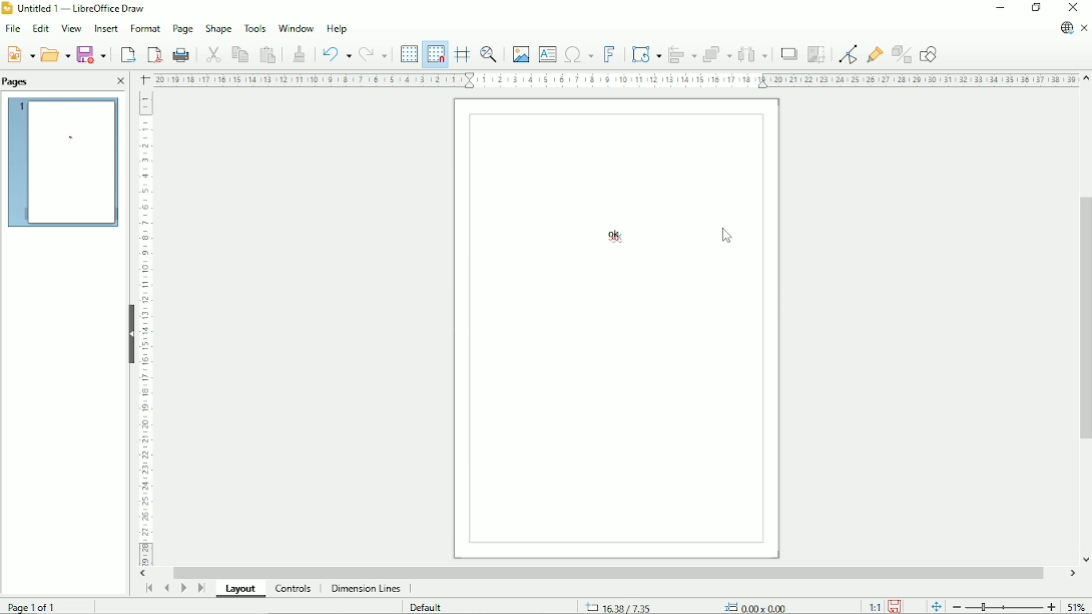  What do you see at coordinates (928, 53) in the screenshot?
I see `Show draw functions` at bounding box center [928, 53].